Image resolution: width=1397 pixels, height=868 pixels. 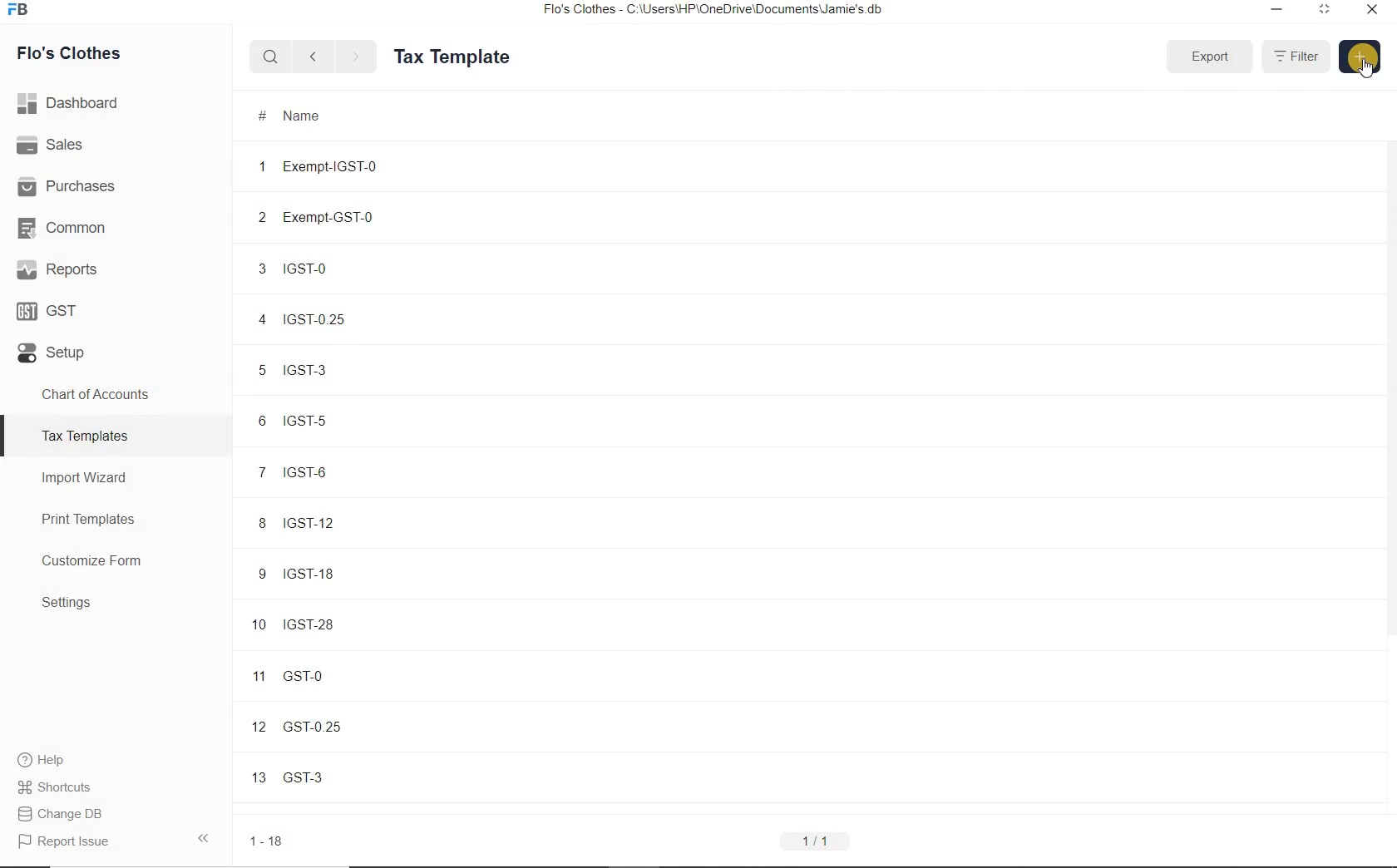 I want to click on 1/1, so click(x=815, y=841).